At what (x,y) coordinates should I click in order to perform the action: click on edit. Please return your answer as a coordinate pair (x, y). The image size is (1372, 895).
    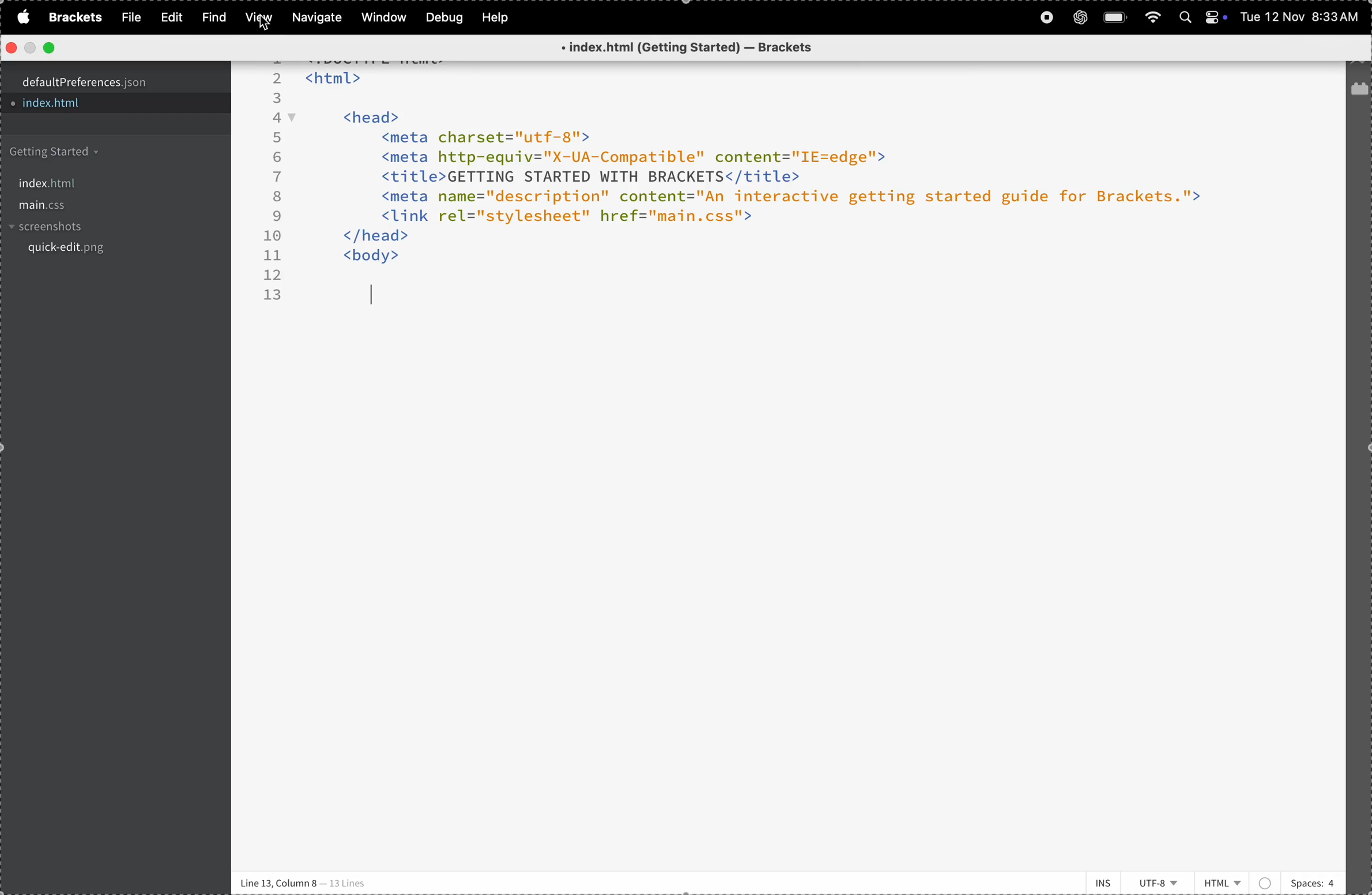
    Looking at the image, I should click on (168, 17).